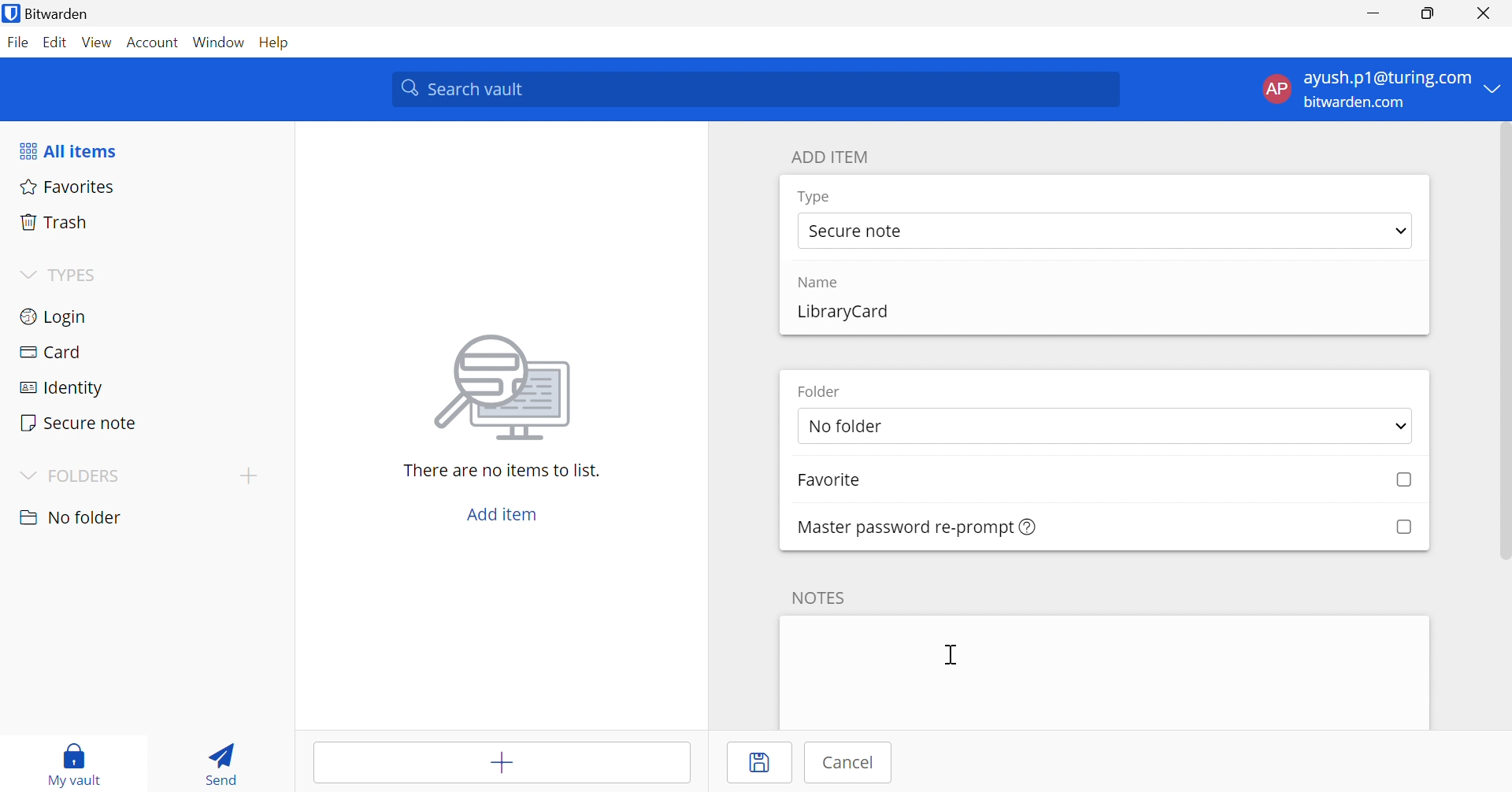 Image resolution: width=1512 pixels, height=792 pixels. I want to click on account menu, so click(1379, 90).